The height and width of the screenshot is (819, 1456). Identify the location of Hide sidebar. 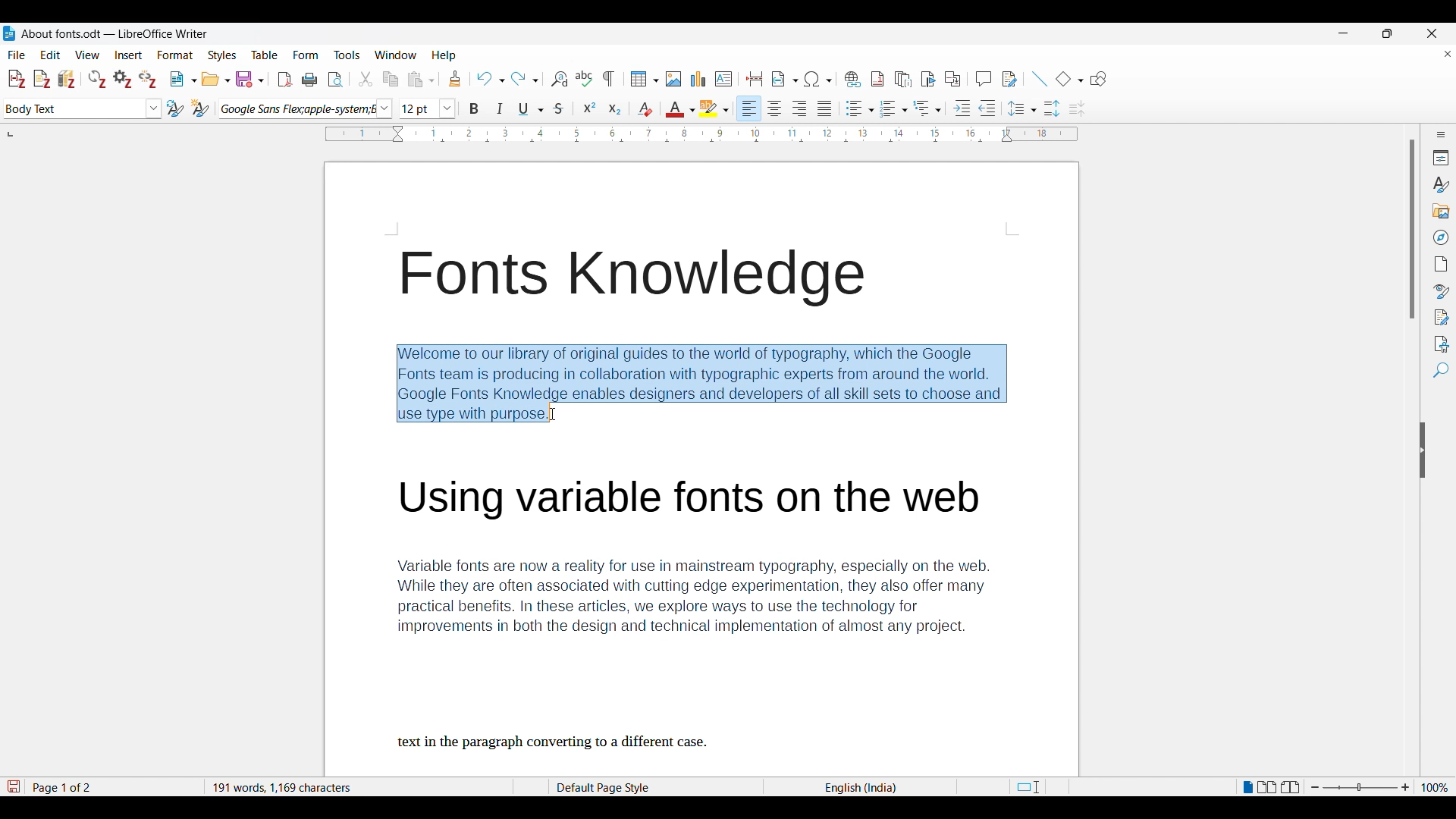
(1423, 450).